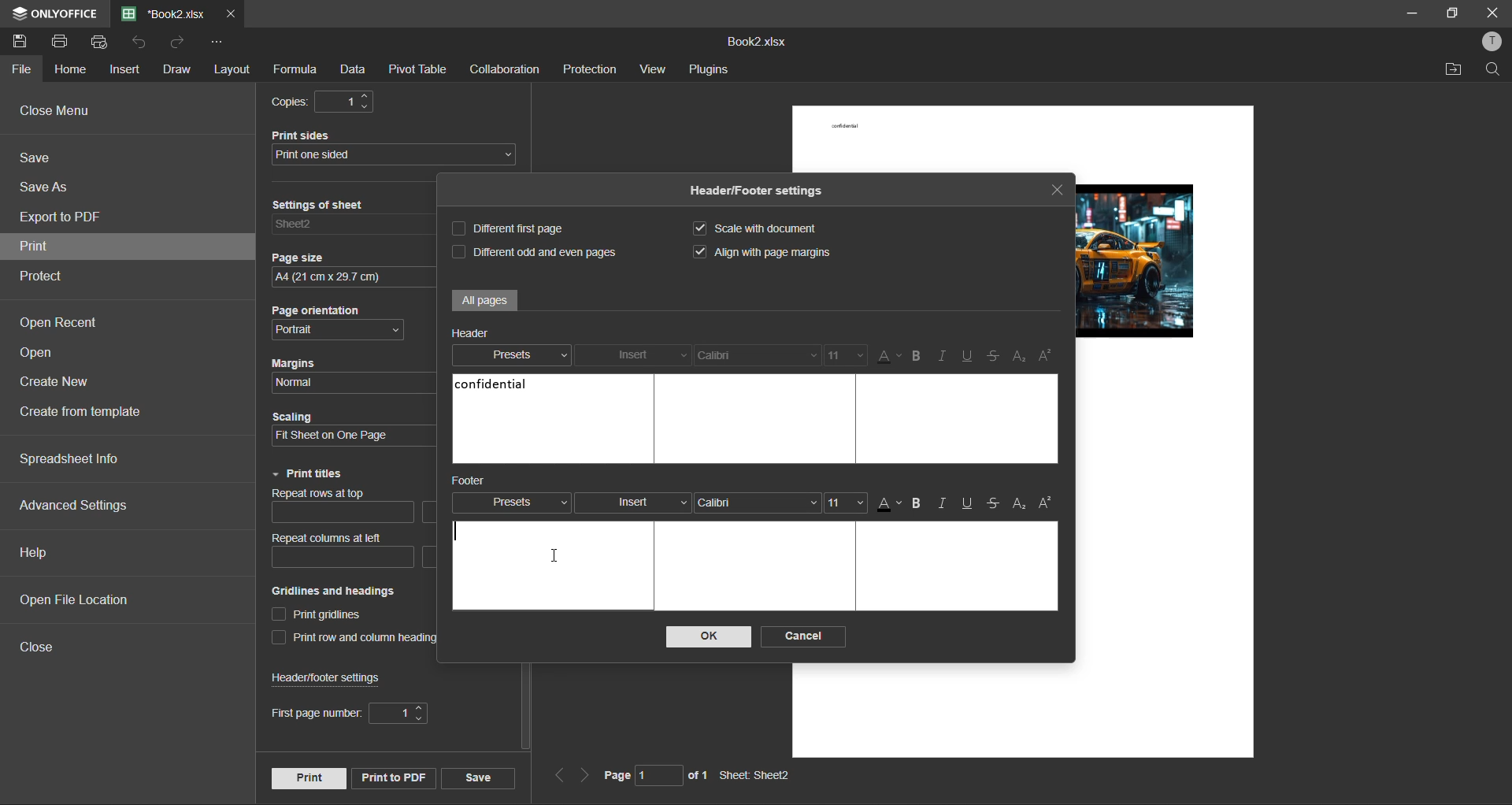 The width and height of the screenshot is (1512, 805). Describe the element at coordinates (971, 355) in the screenshot. I see `underline` at that location.